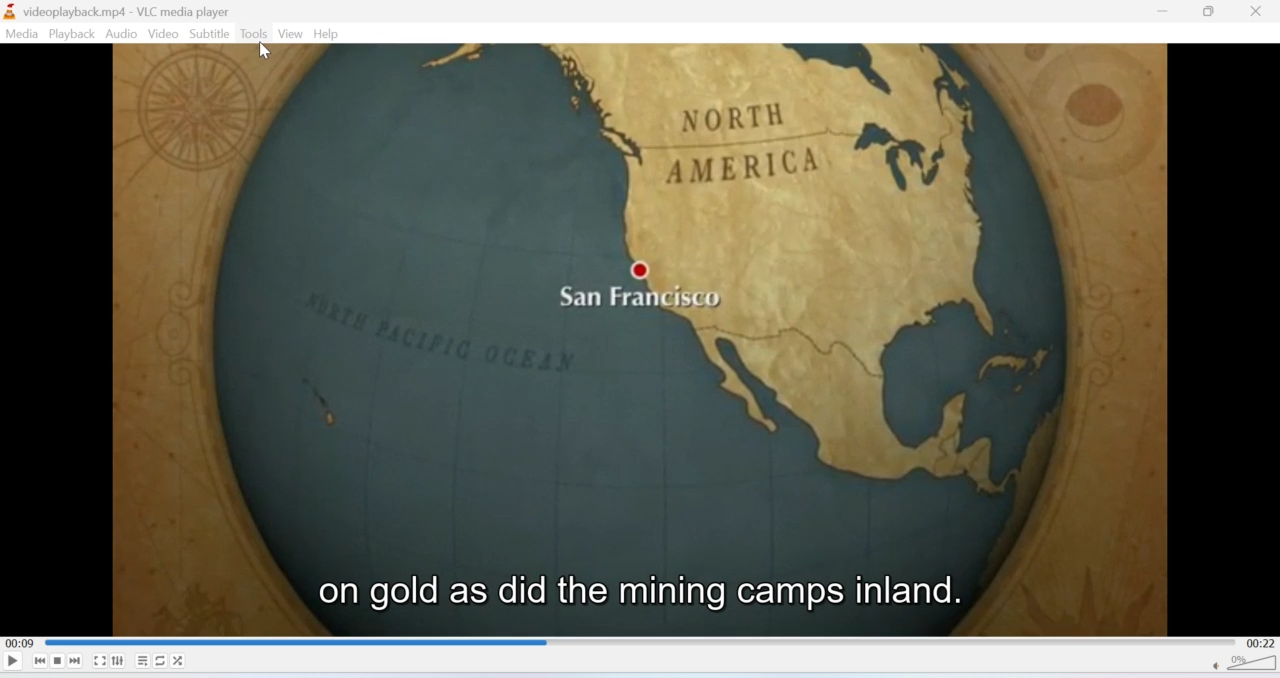 This screenshot has width=1280, height=678. What do you see at coordinates (76, 661) in the screenshot?
I see `Seek forward` at bounding box center [76, 661].